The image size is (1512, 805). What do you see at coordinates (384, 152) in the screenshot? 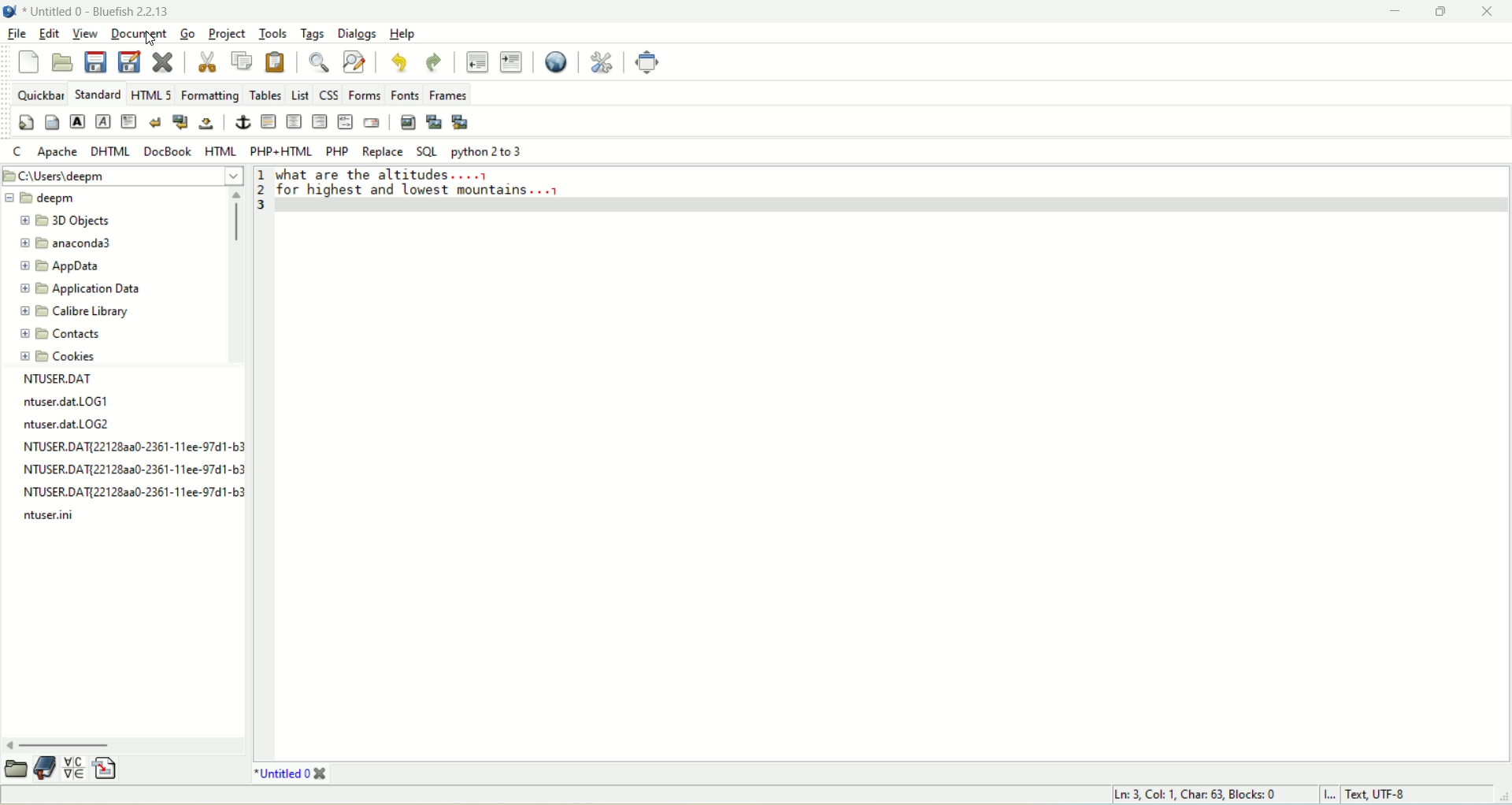
I see `replace` at bounding box center [384, 152].